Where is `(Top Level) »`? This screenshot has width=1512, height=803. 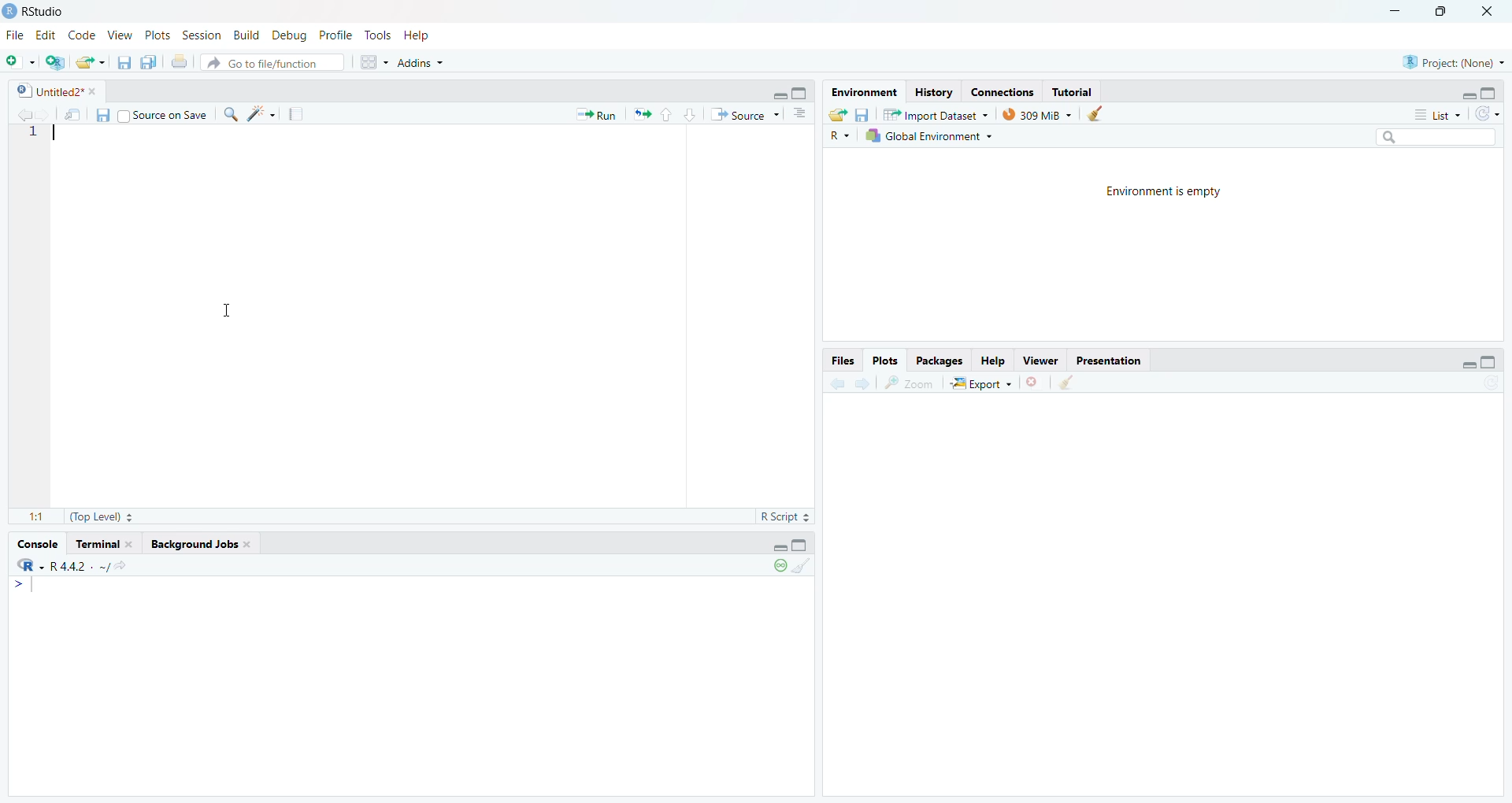 (Top Level) » is located at coordinates (102, 515).